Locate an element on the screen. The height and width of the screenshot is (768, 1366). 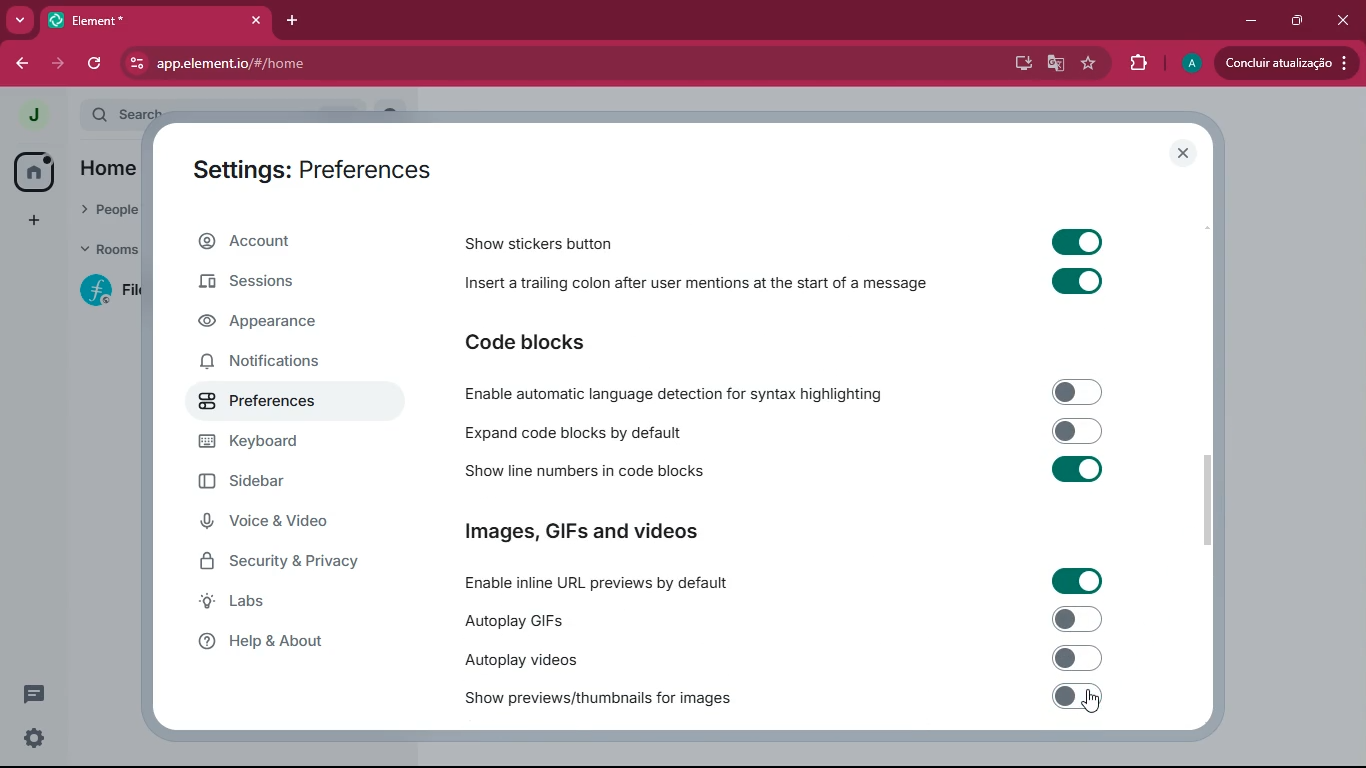
profile picture is located at coordinates (1188, 63).